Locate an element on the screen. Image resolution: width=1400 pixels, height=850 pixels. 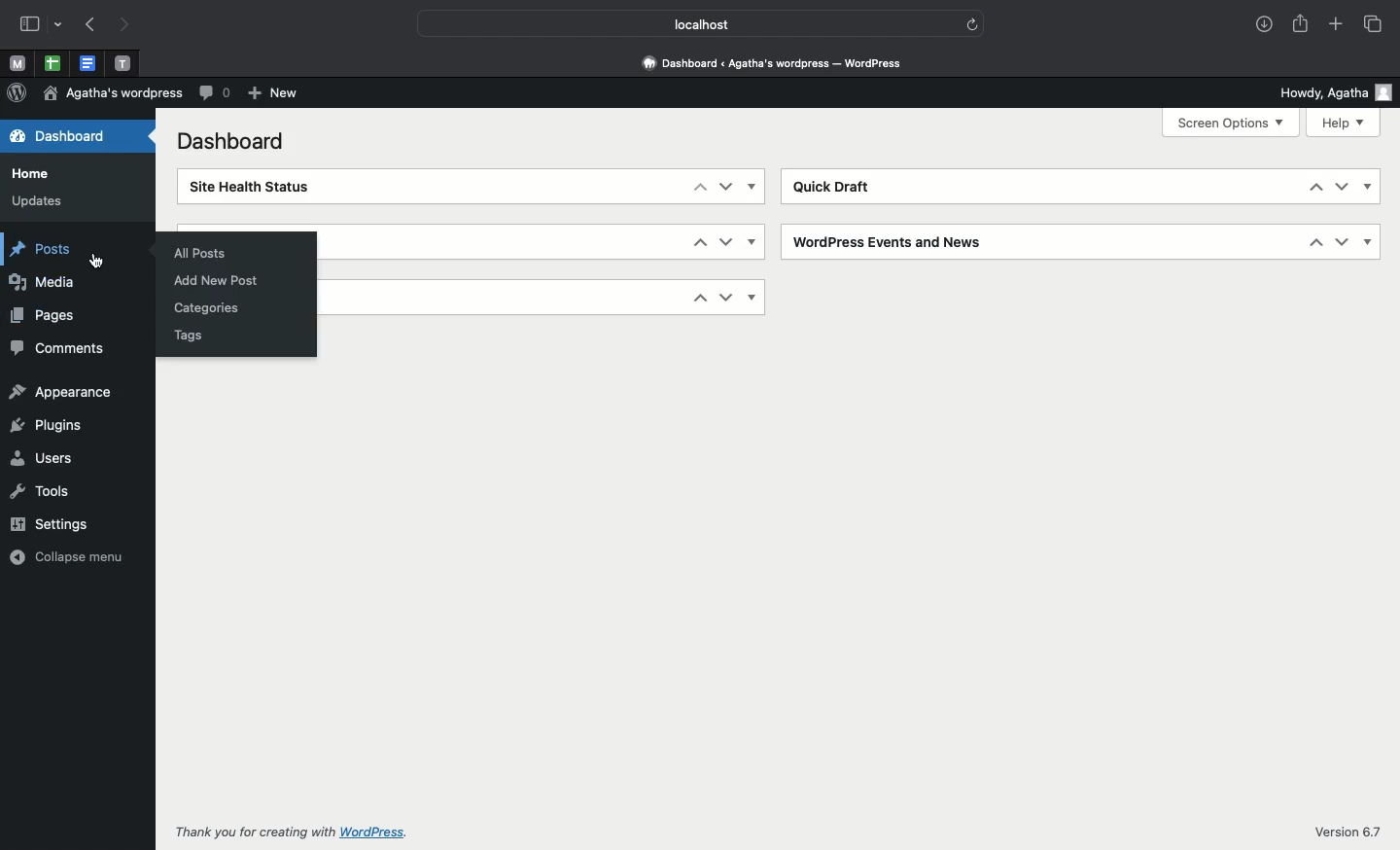
Pages is located at coordinates (52, 316).